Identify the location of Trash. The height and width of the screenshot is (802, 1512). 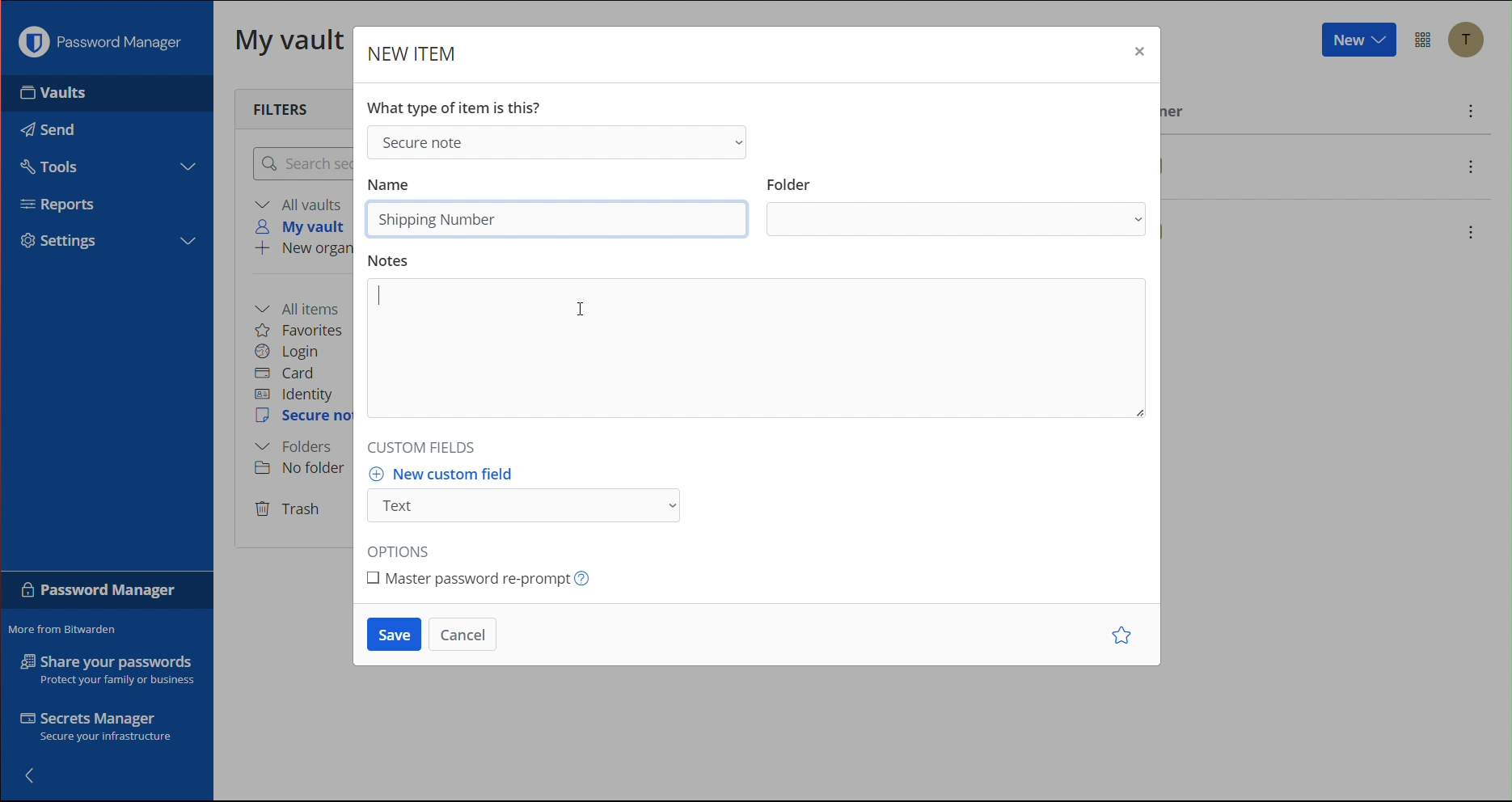
(290, 510).